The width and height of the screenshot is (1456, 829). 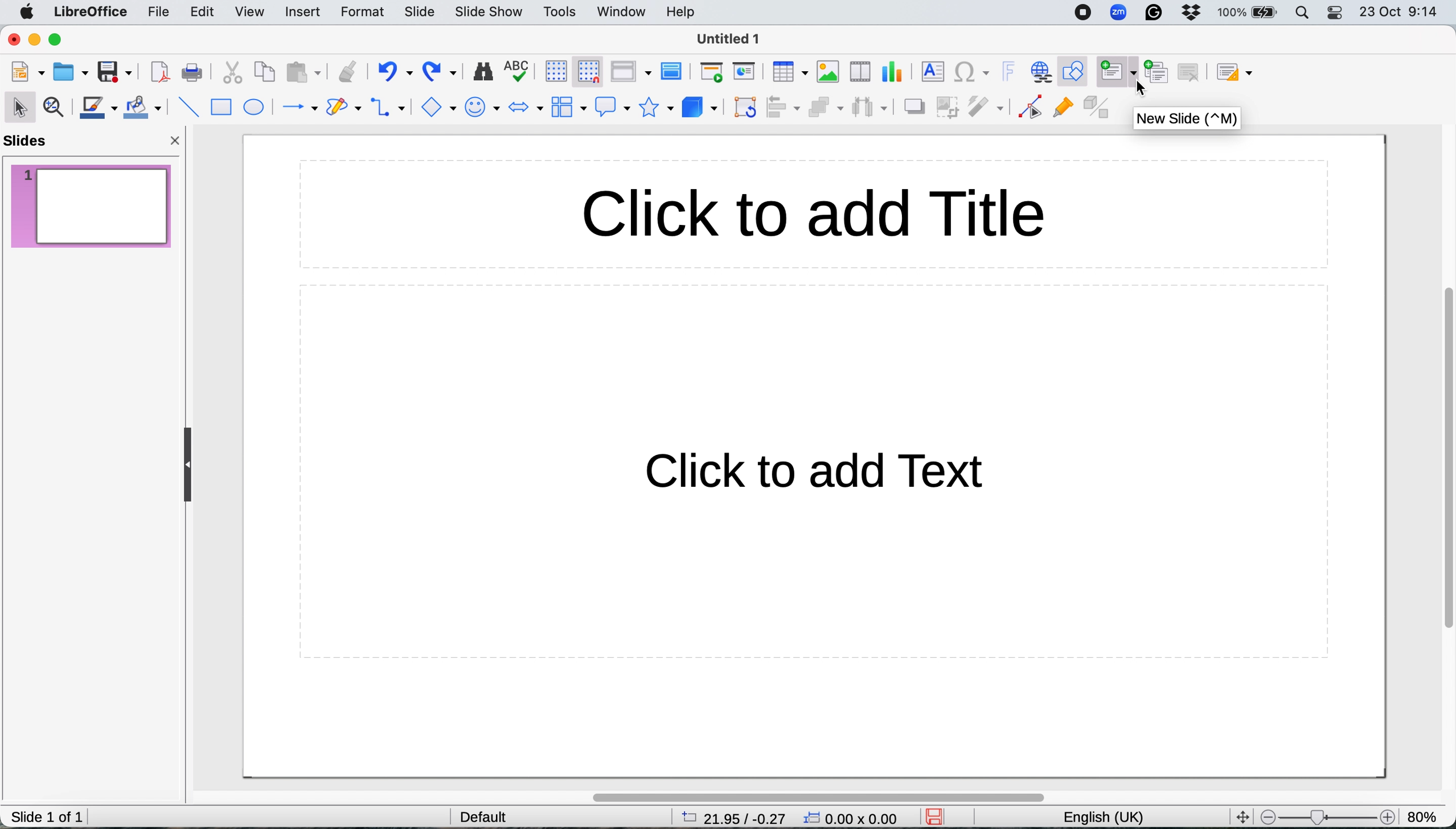 I want to click on ellipse, so click(x=255, y=108).